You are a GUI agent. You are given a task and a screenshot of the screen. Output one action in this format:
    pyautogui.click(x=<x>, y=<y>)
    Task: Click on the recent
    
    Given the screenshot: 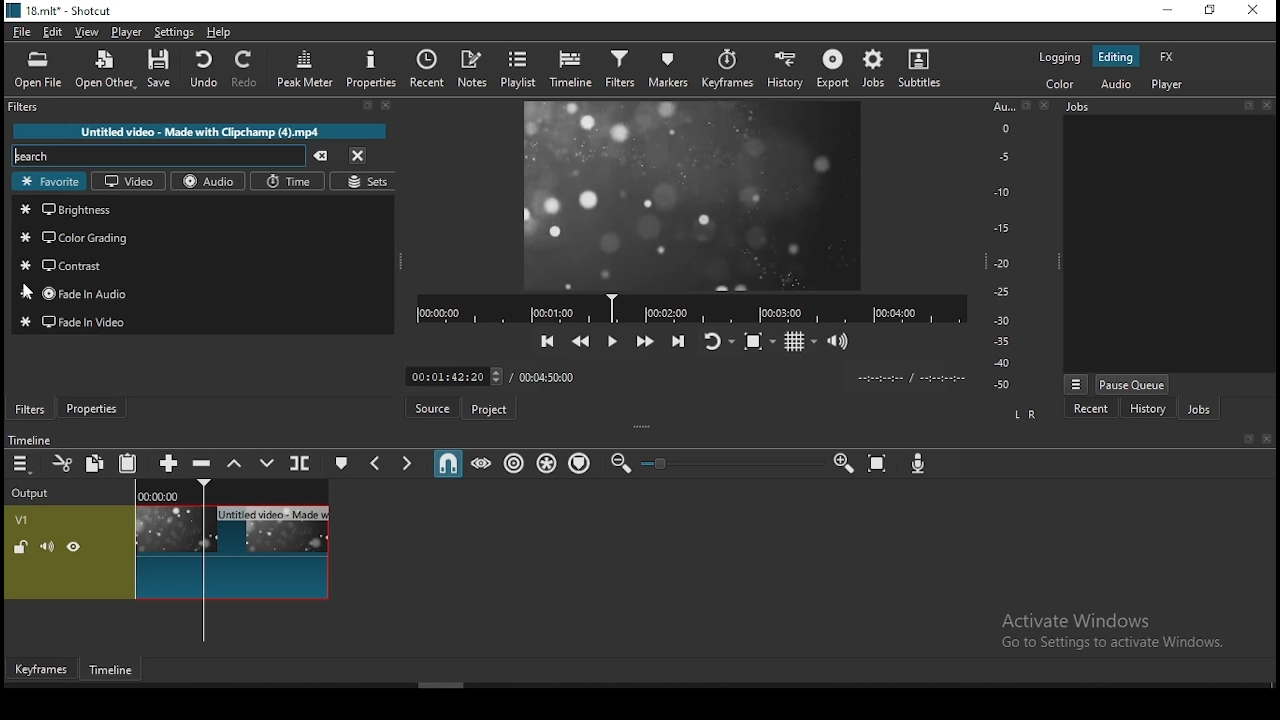 What is the action you would take?
    pyautogui.click(x=427, y=69)
    